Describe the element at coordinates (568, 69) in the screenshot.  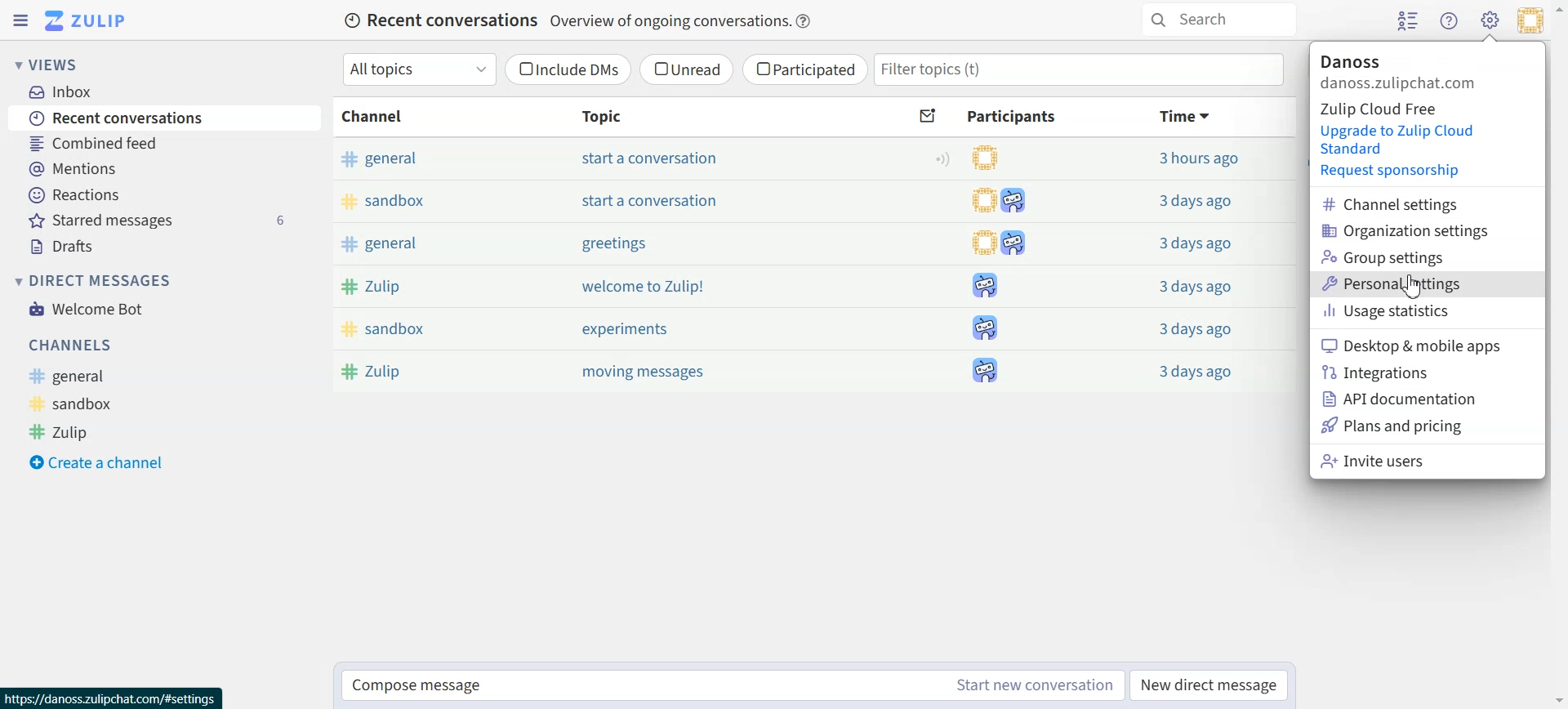
I see `Include DMs` at that location.